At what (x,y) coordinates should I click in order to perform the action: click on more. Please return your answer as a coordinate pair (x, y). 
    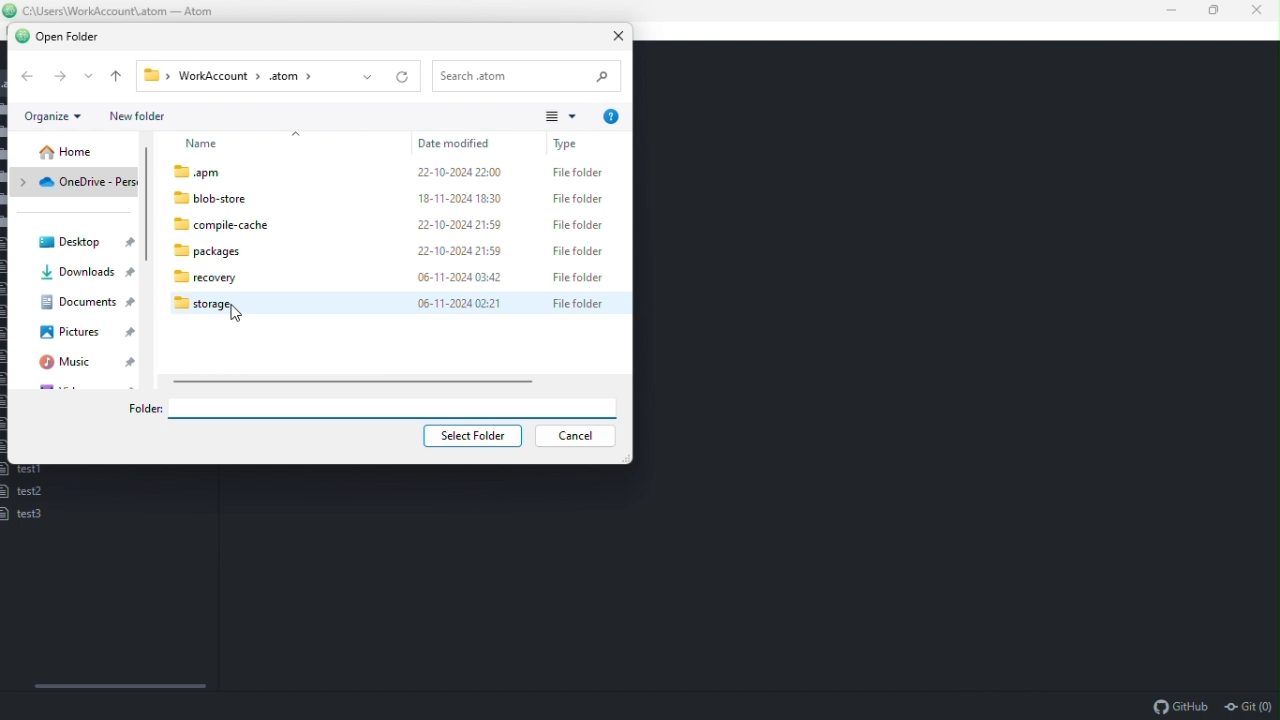
    Looking at the image, I should click on (90, 72).